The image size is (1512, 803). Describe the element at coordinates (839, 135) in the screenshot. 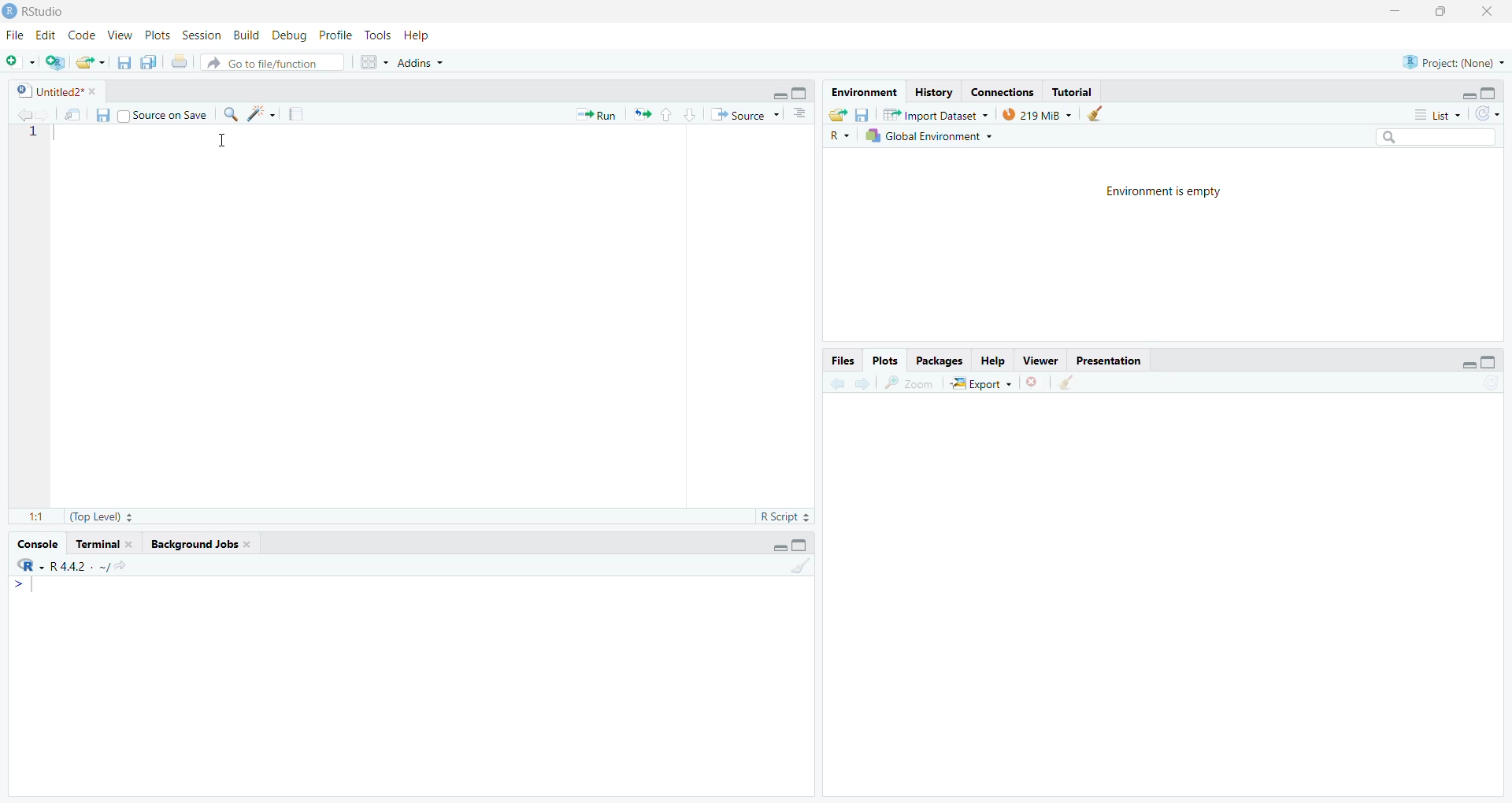

I see `R` at that location.